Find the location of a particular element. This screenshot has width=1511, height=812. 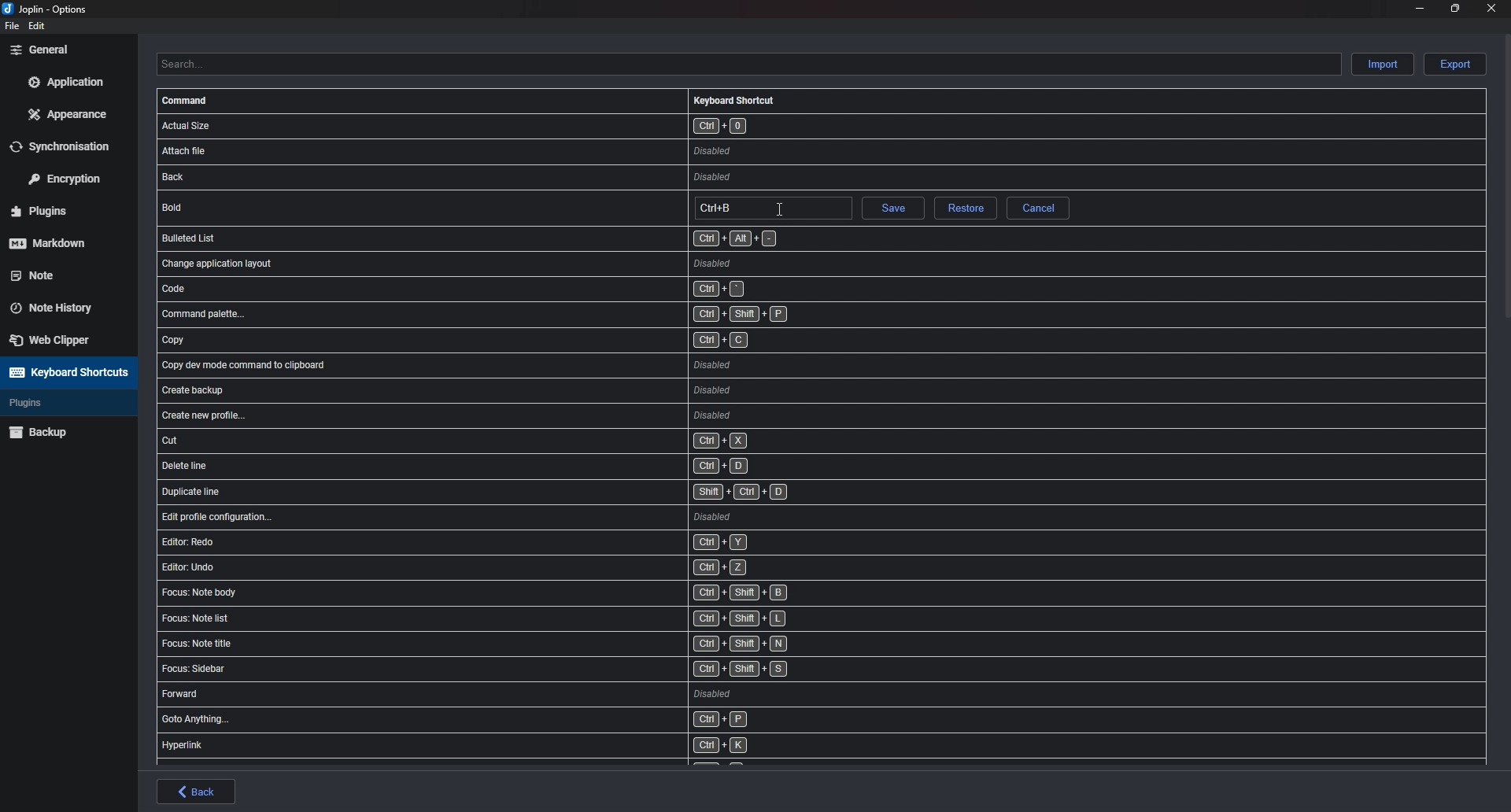

file is located at coordinates (10, 26).